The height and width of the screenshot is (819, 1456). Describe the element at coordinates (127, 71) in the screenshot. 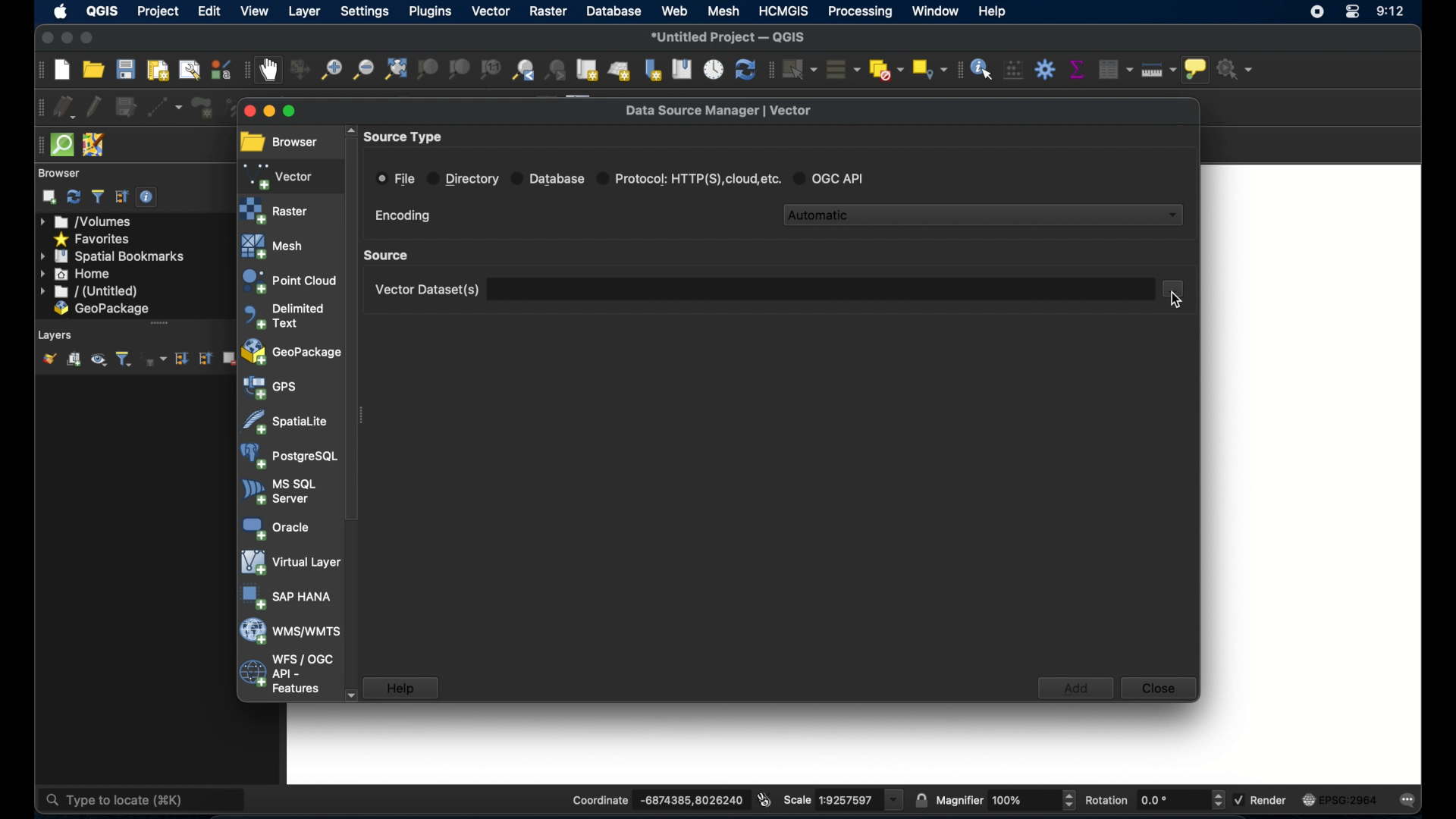

I see `save project` at that location.